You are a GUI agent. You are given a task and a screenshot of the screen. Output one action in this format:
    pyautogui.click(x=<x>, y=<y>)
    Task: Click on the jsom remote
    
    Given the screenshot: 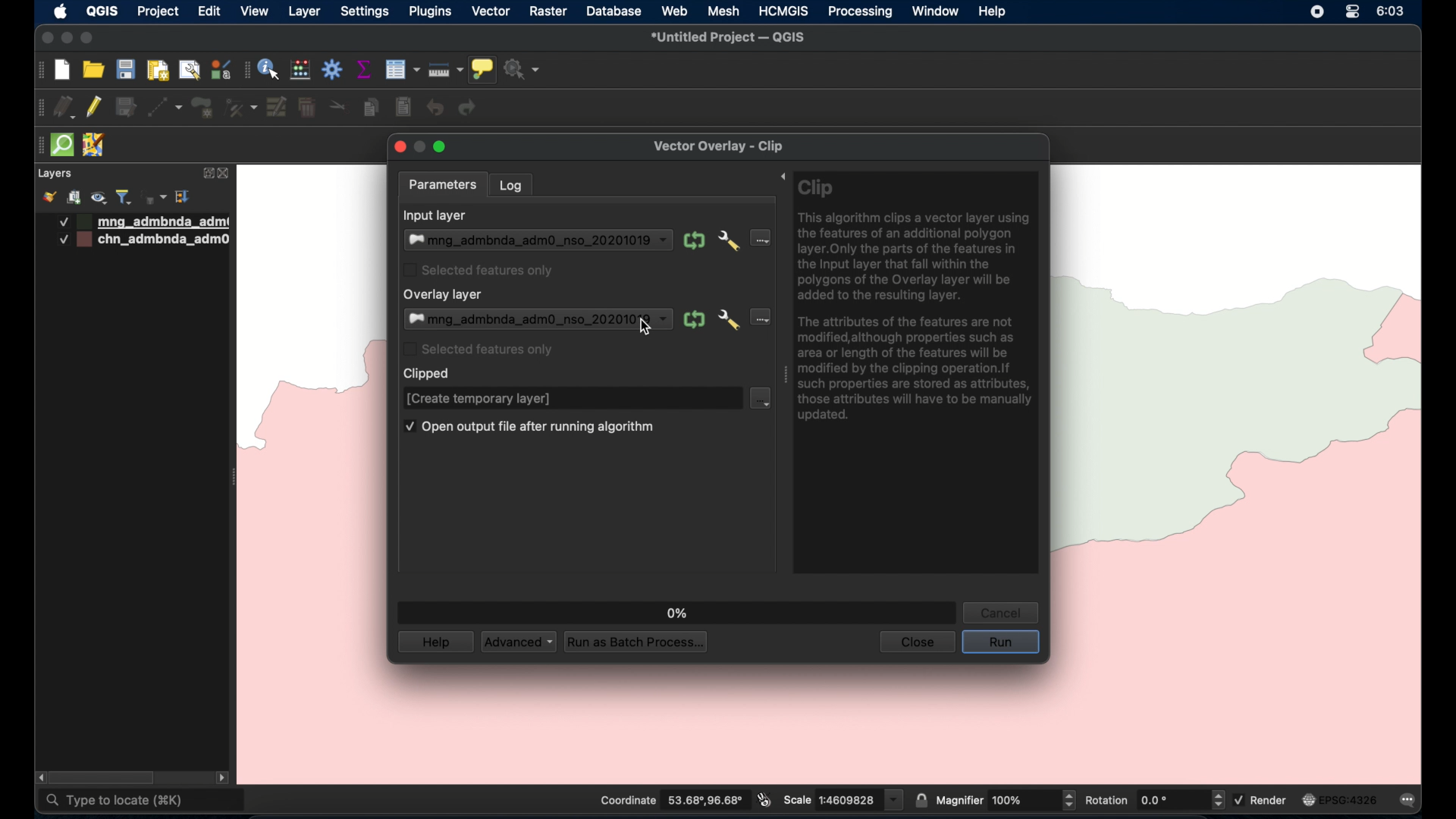 What is the action you would take?
    pyautogui.click(x=96, y=146)
    